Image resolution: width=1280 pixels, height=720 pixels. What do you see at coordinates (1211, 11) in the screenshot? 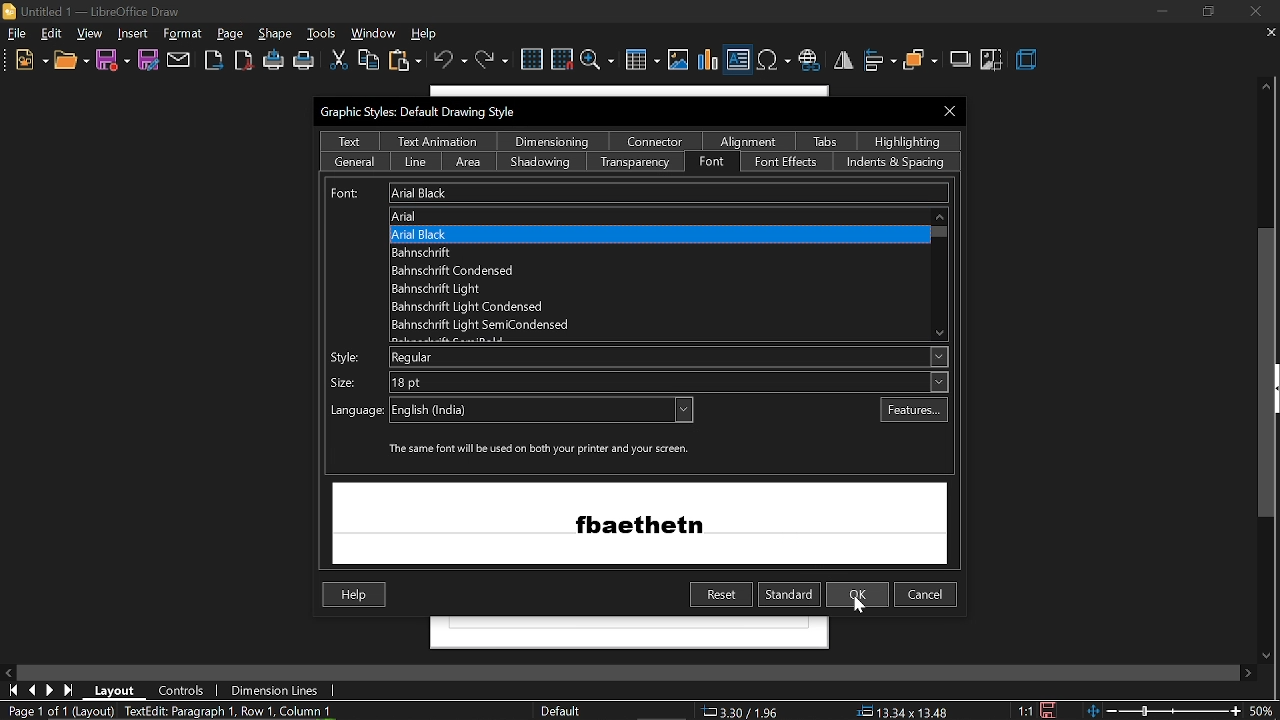
I see `restore down` at bounding box center [1211, 11].